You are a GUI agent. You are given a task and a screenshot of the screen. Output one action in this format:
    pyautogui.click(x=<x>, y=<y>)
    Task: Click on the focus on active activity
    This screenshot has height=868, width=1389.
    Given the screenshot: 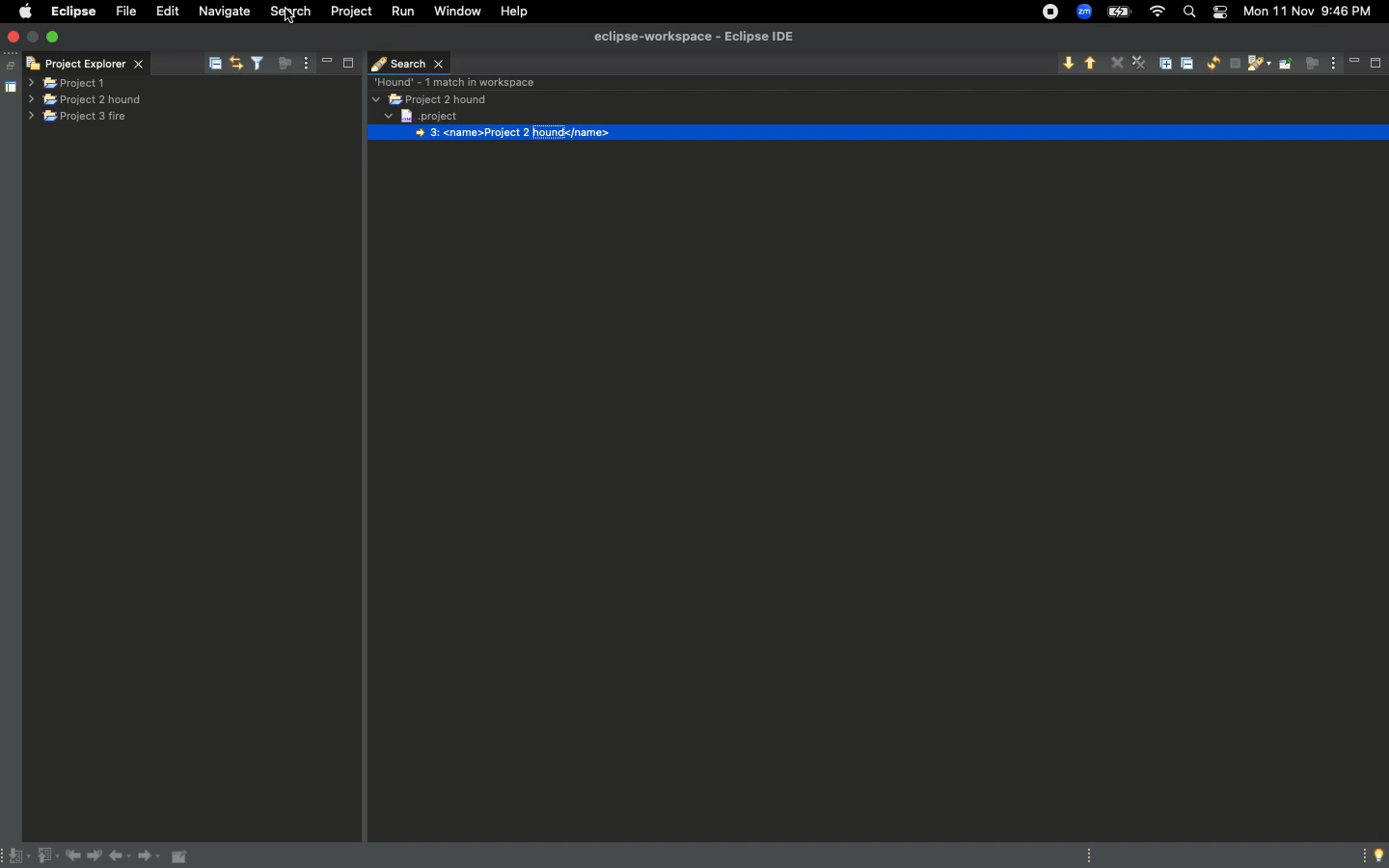 What is the action you would take?
    pyautogui.click(x=1312, y=68)
    